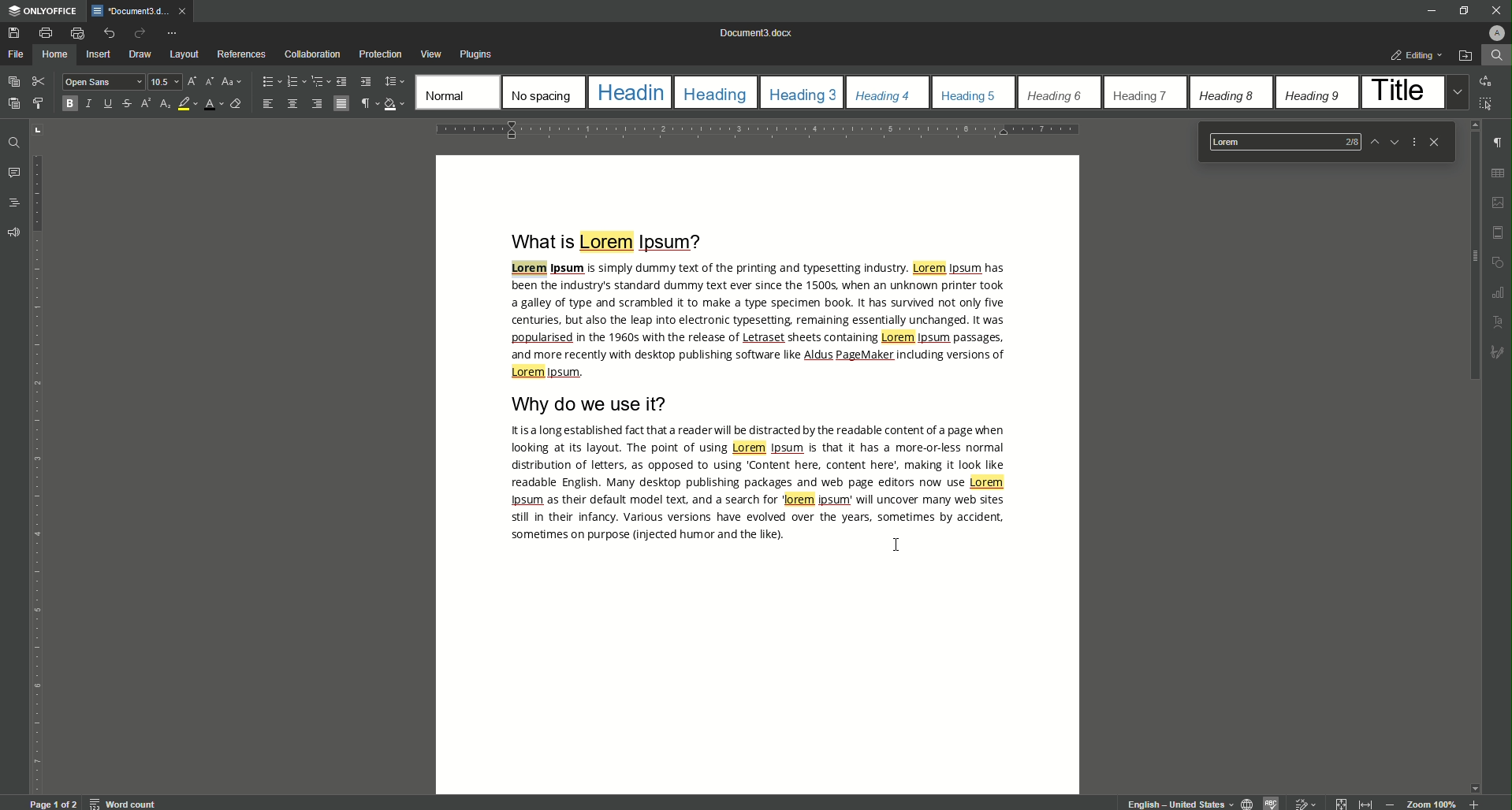 The height and width of the screenshot is (810, 1512). What do you see at coordinates (1412, 142) in the screenshot?
I see `More Actions` at bounding box center [1412, 142].